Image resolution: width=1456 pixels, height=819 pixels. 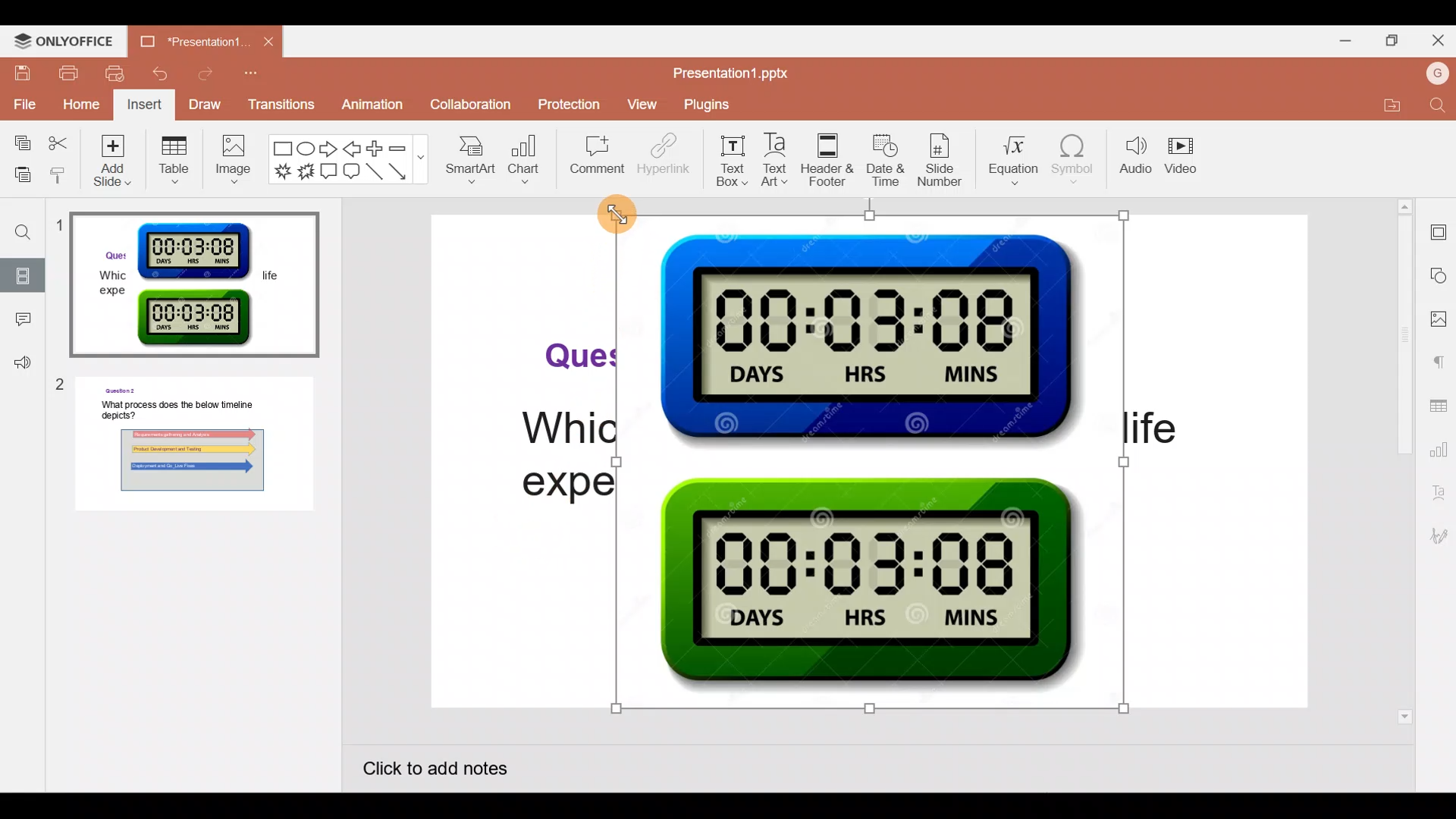 What do you see at coordinates (115, 165) in the screenshot?
I see `Add slide` at bounding box center [115, 165].